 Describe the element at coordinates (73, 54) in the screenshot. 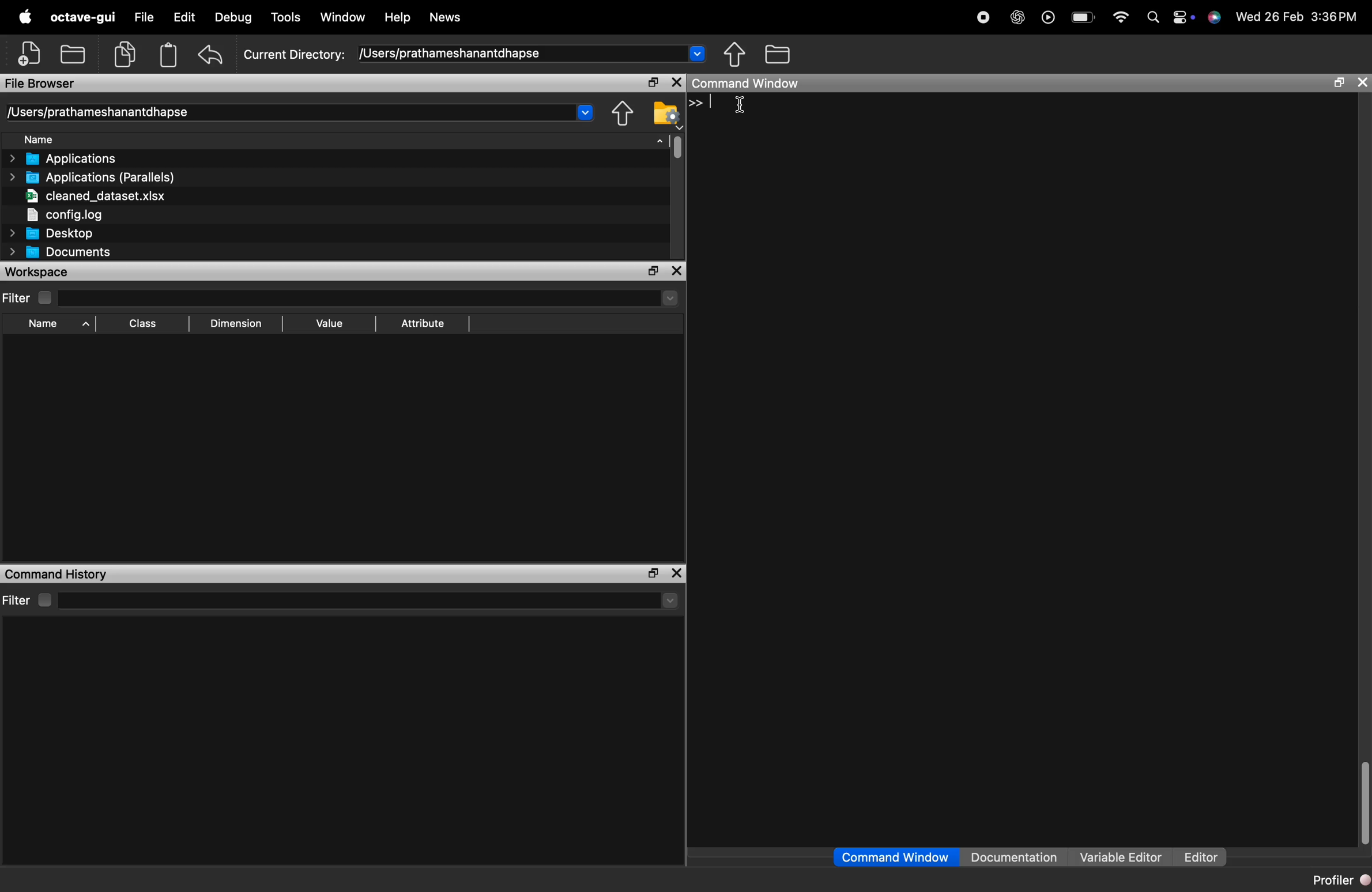

I see `open an existing file in an editor` at that location.